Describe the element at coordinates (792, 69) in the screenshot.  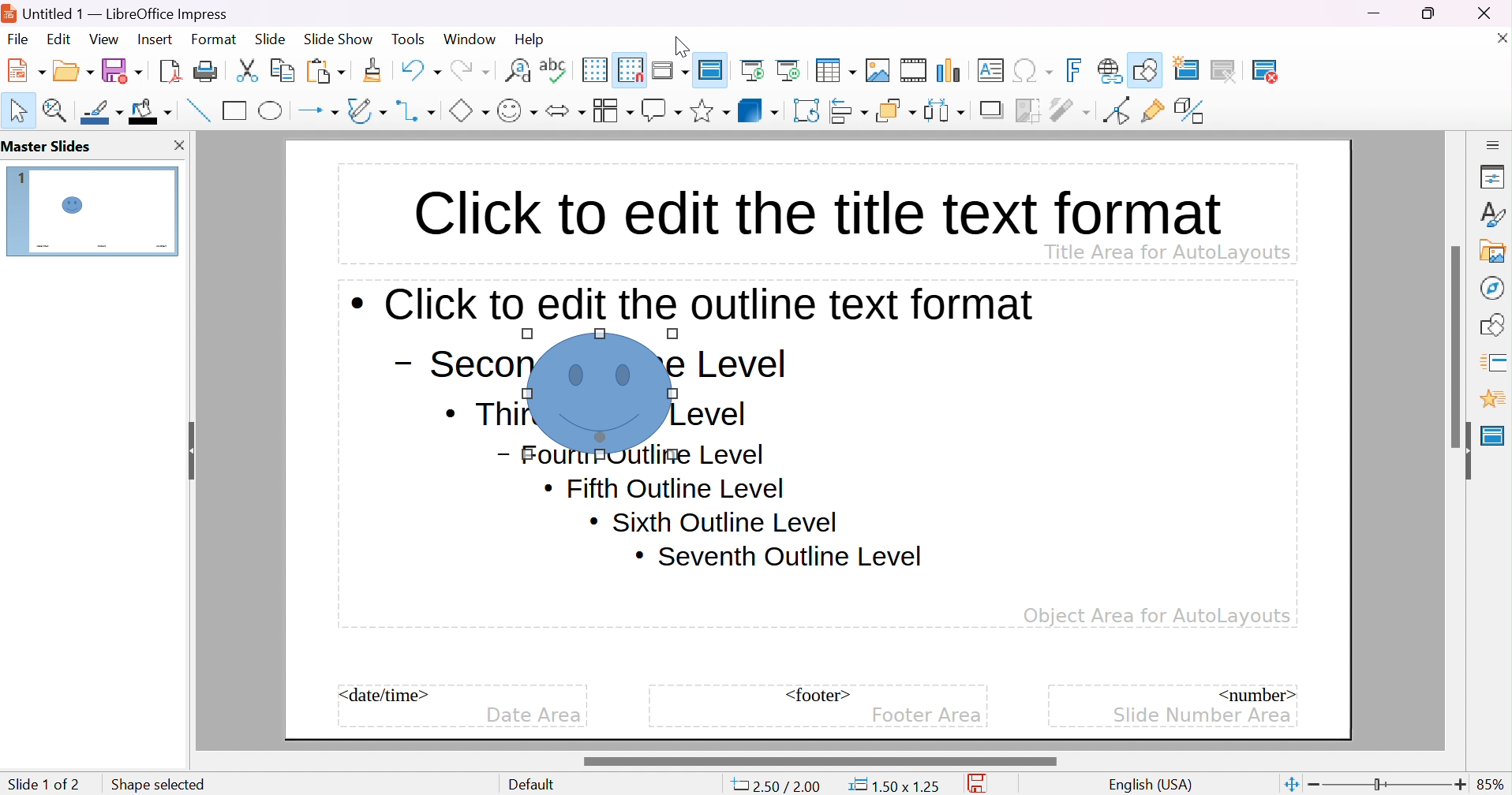
I see `start from current slide` at that location.